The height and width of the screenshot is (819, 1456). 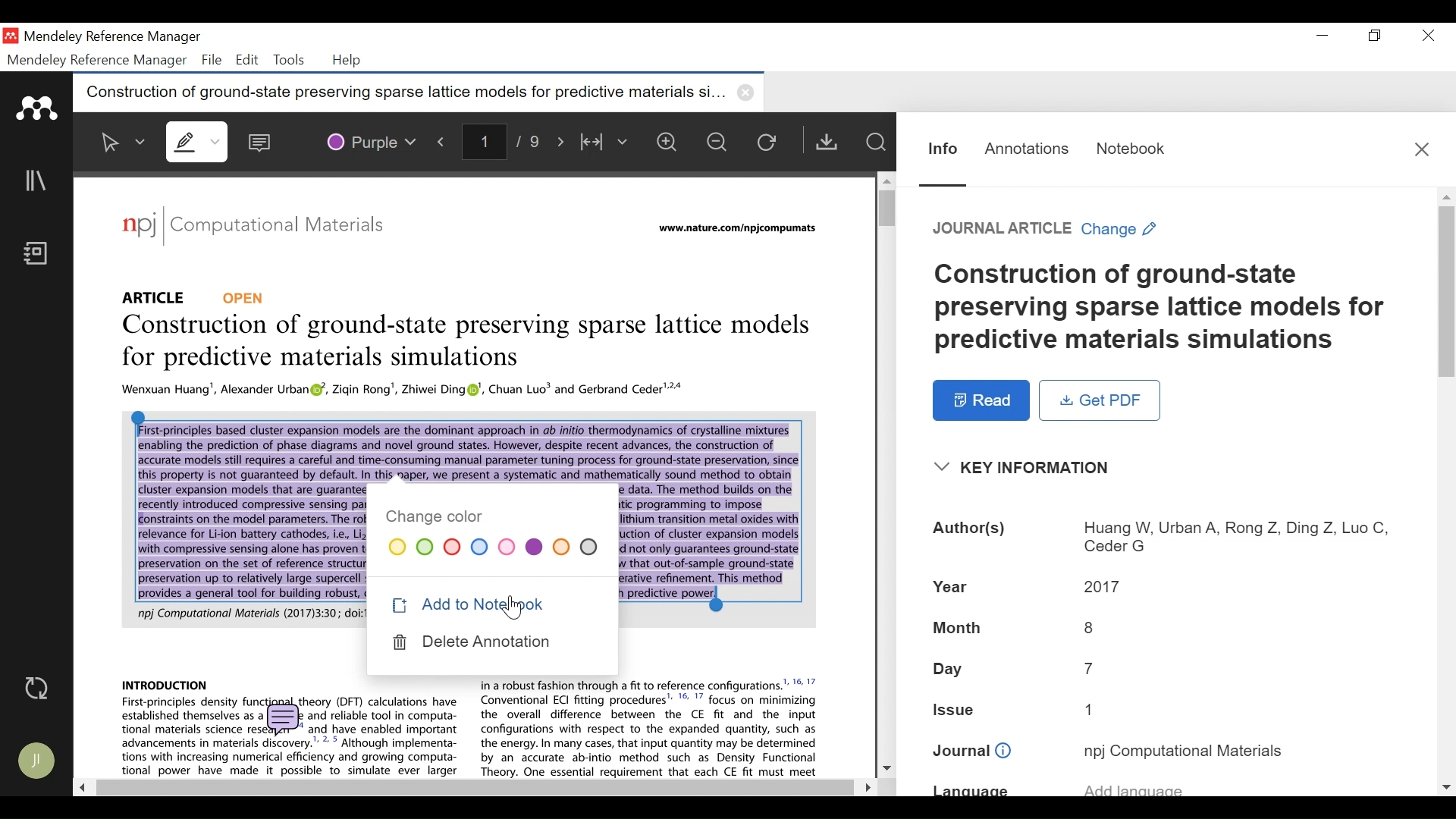 I want to click on Notebook, so click(x=1131, y=149).